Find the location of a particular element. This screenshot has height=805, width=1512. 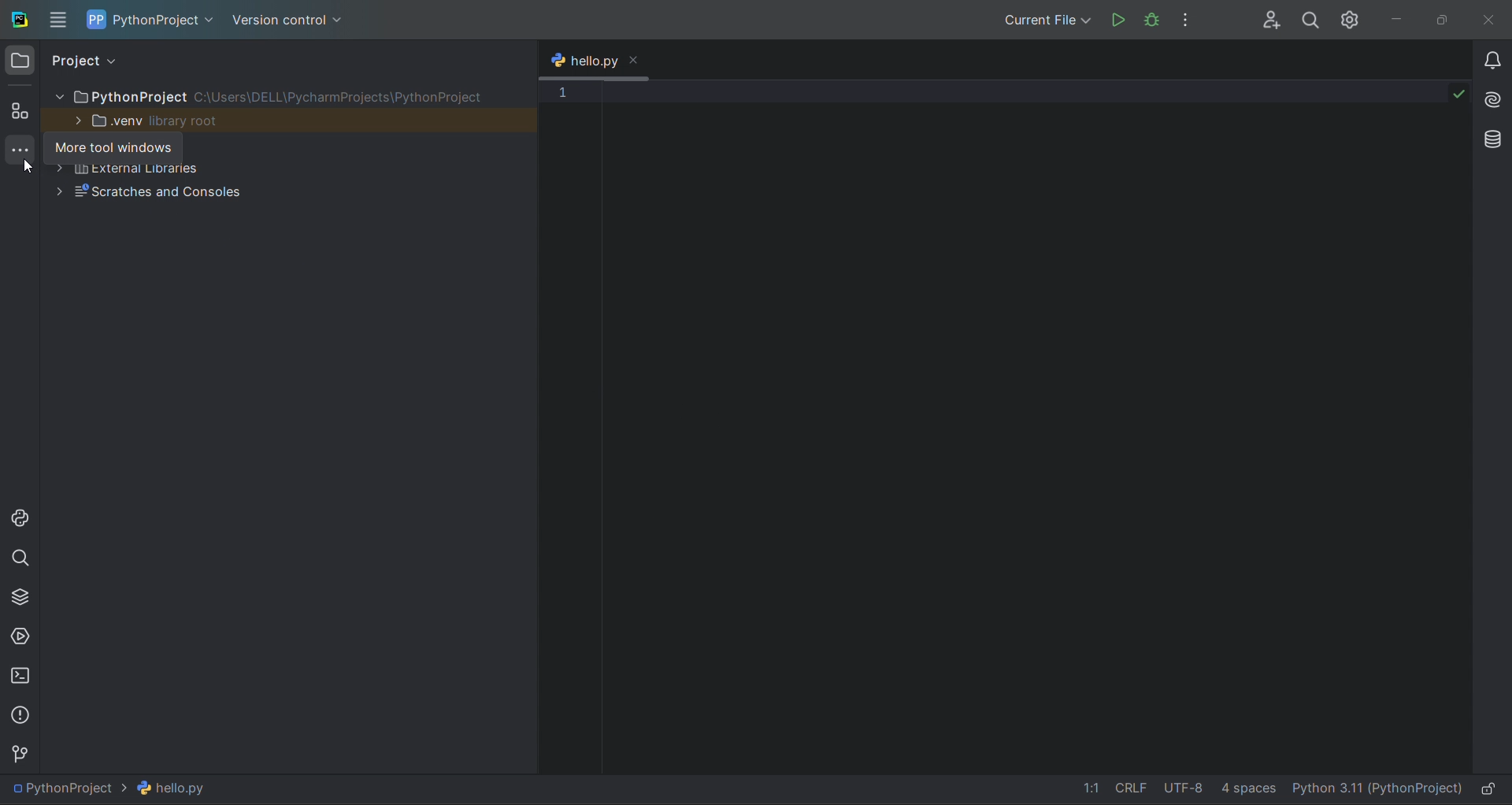

current project is located at coordinates (165, 24).